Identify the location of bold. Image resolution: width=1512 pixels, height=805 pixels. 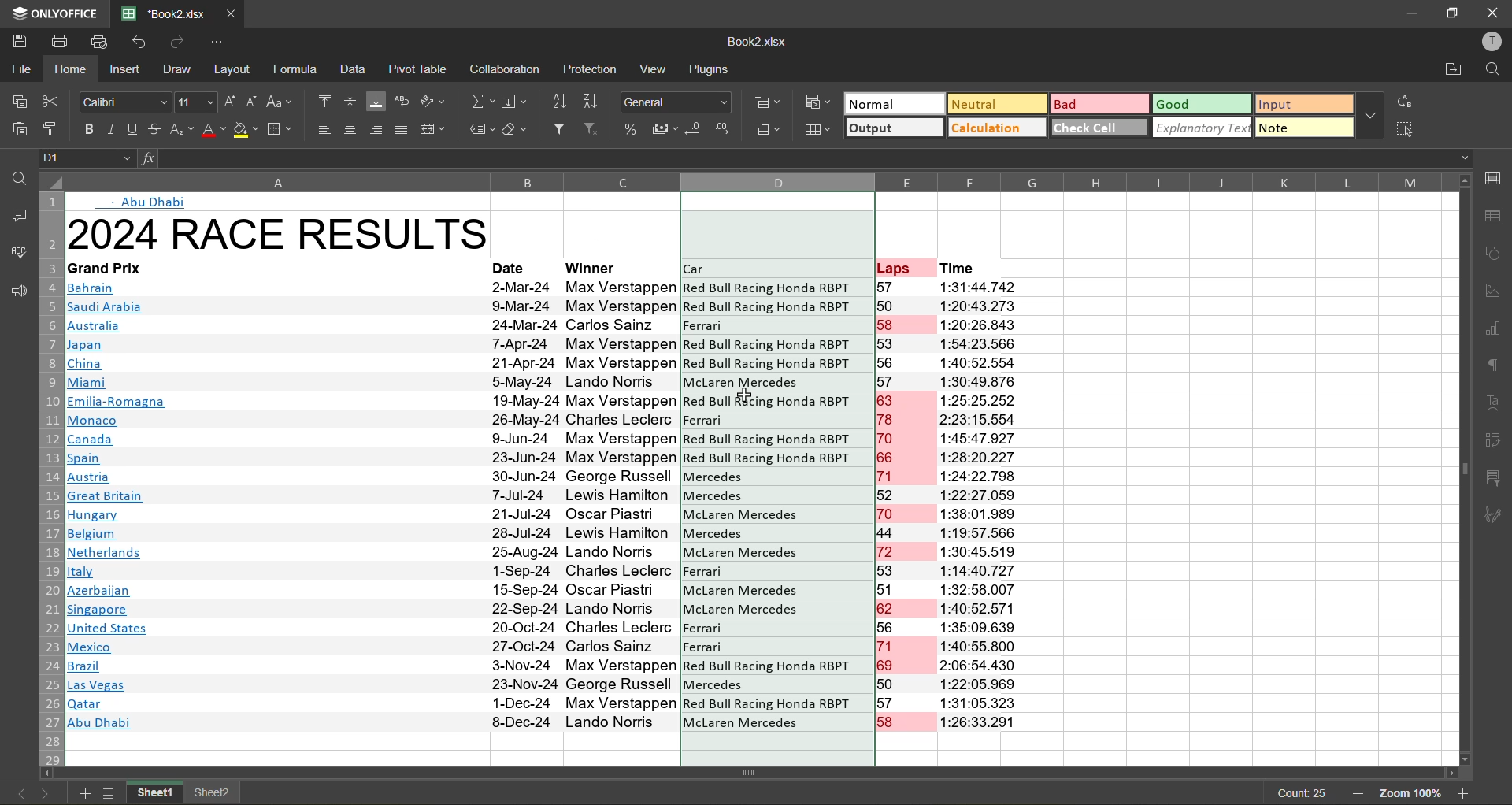
(85, 128).